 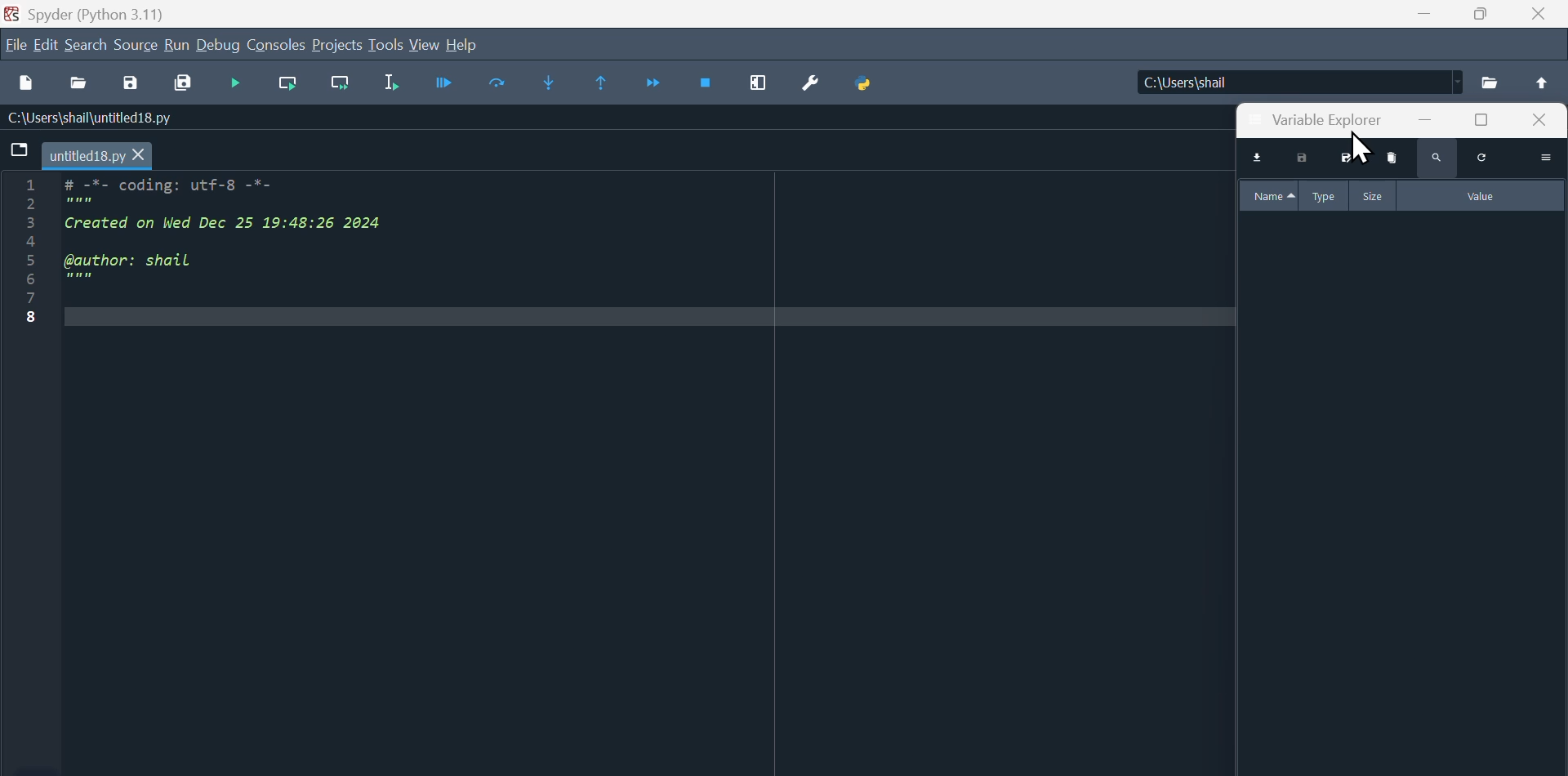 What do you see at coordinates (1272, 196) in the screenshot?
I see `name ` at bounding box center [1272, 196].